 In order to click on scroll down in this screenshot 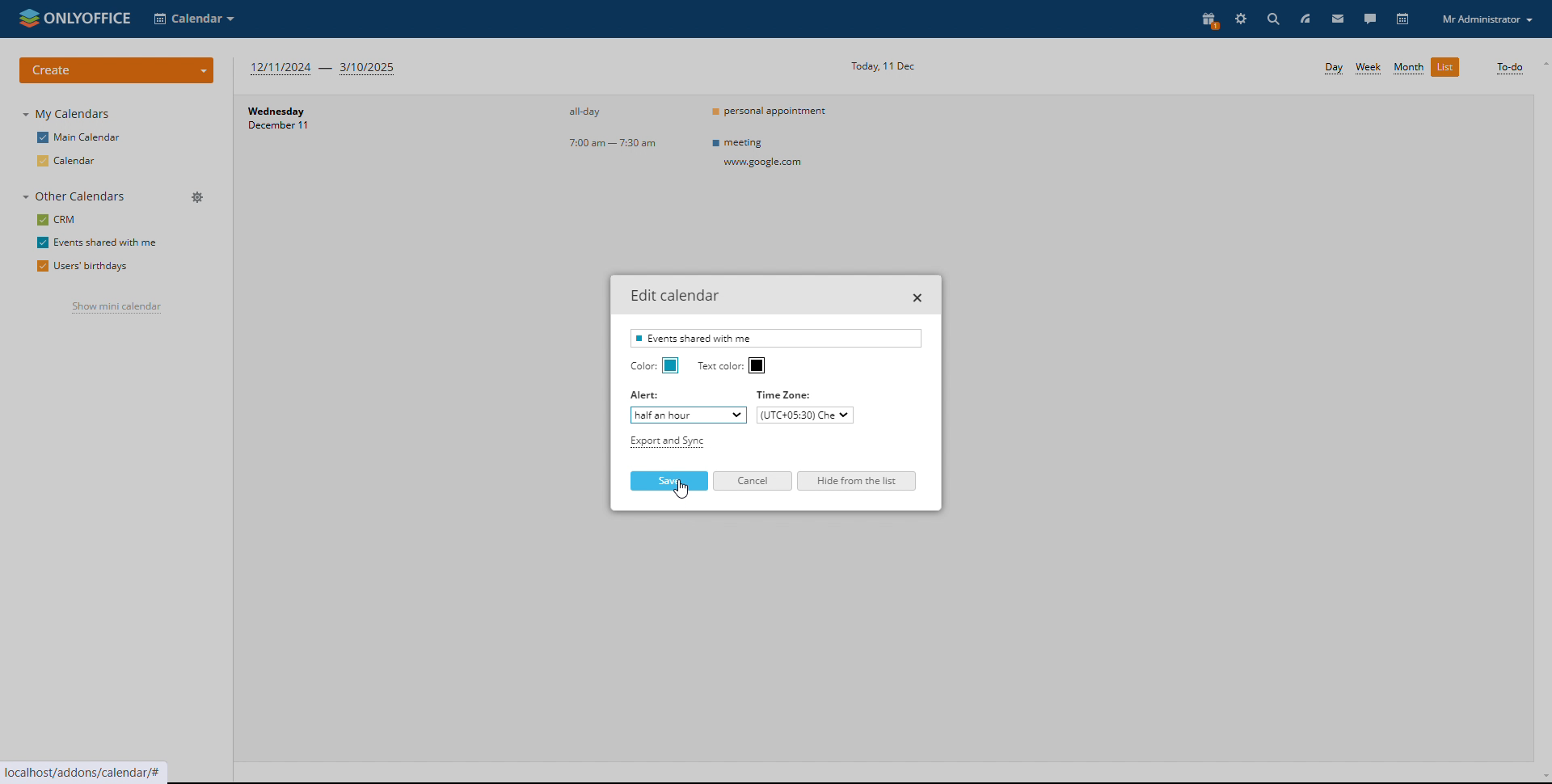, I will do `click(1542, 778)`.